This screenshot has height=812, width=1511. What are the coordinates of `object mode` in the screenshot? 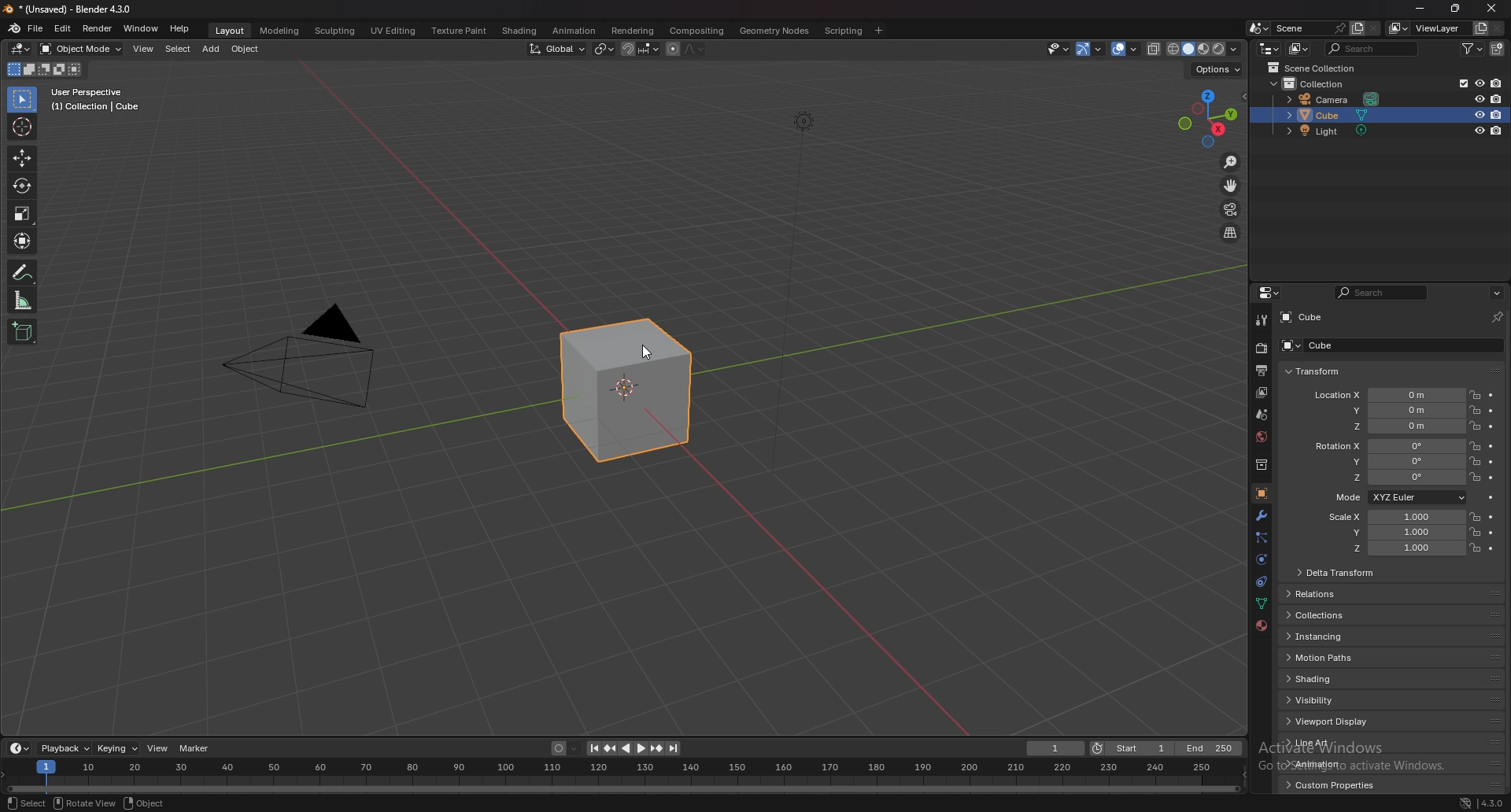 It's located at (81, 48).